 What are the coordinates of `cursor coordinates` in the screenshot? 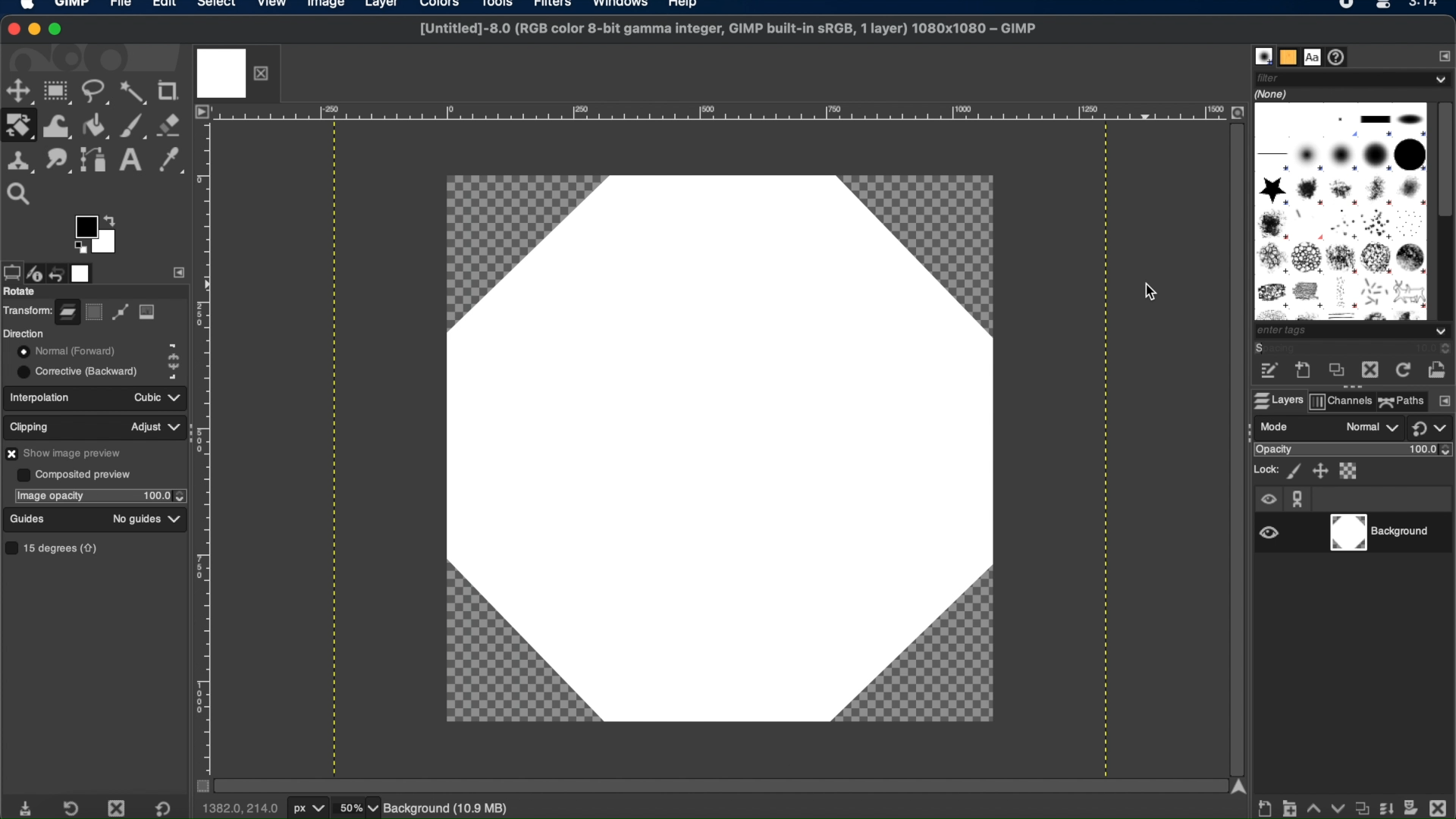 It's located at (242, 808).